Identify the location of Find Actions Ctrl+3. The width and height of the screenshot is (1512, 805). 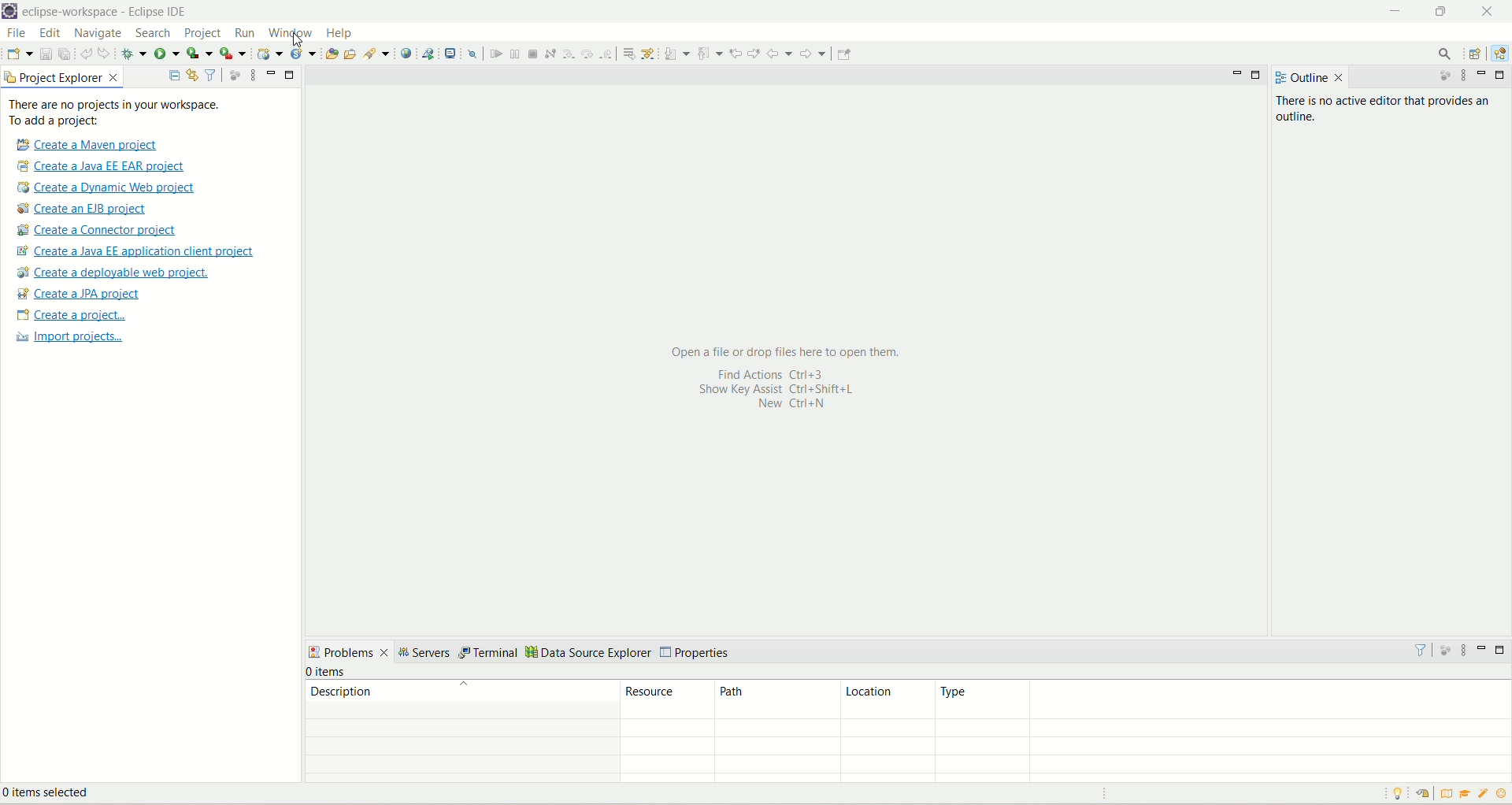
(765, 373).